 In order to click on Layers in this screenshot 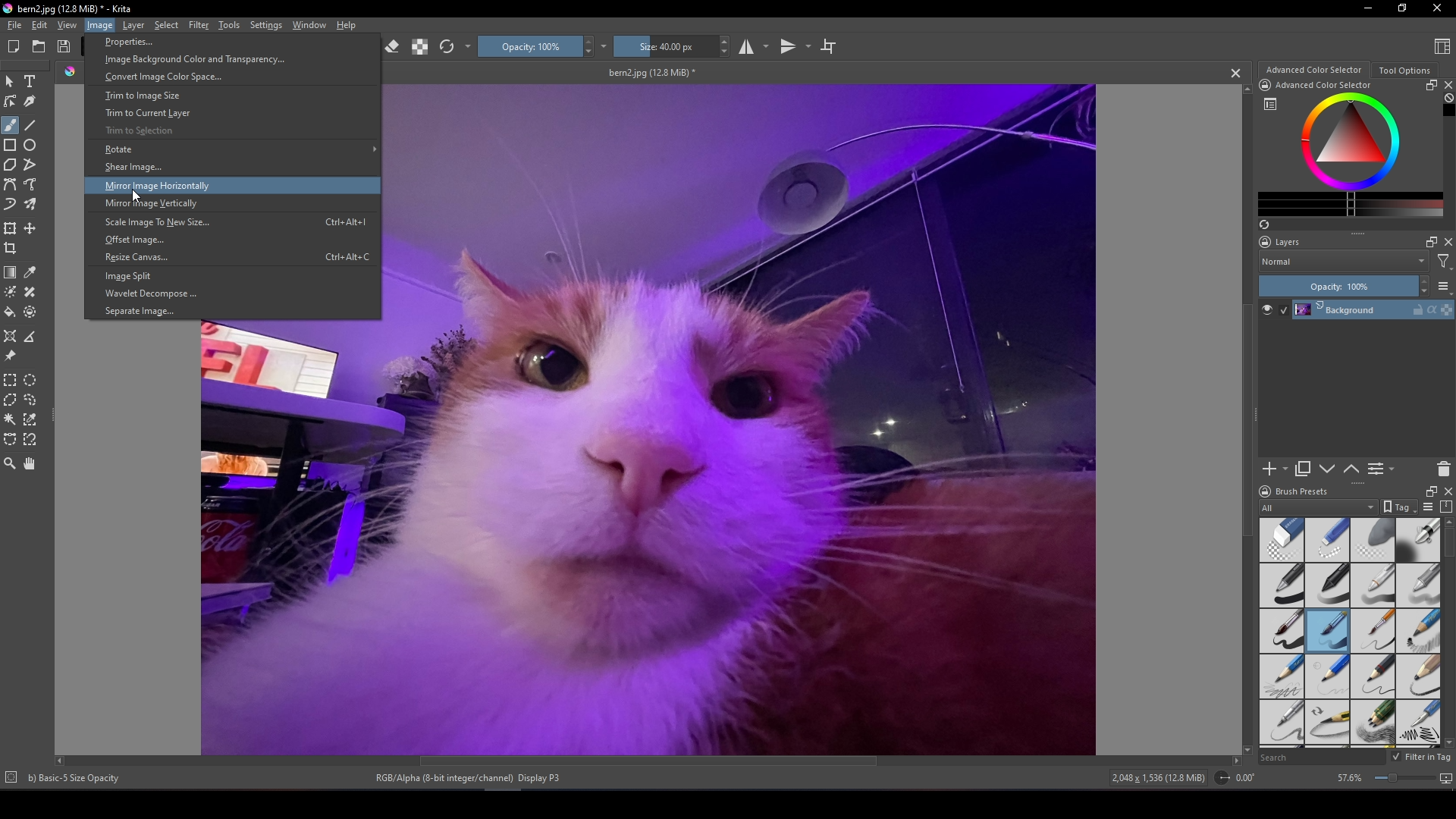, I will do `click(1288, 242)`.